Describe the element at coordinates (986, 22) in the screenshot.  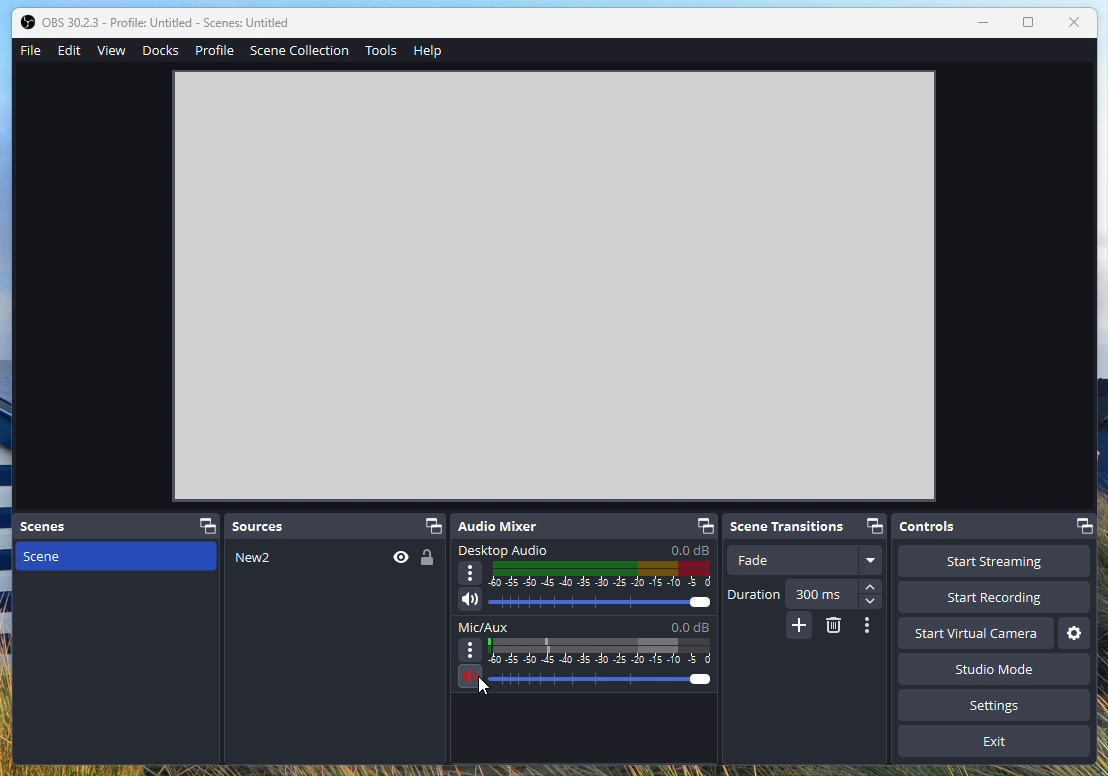
I see `` at that location.